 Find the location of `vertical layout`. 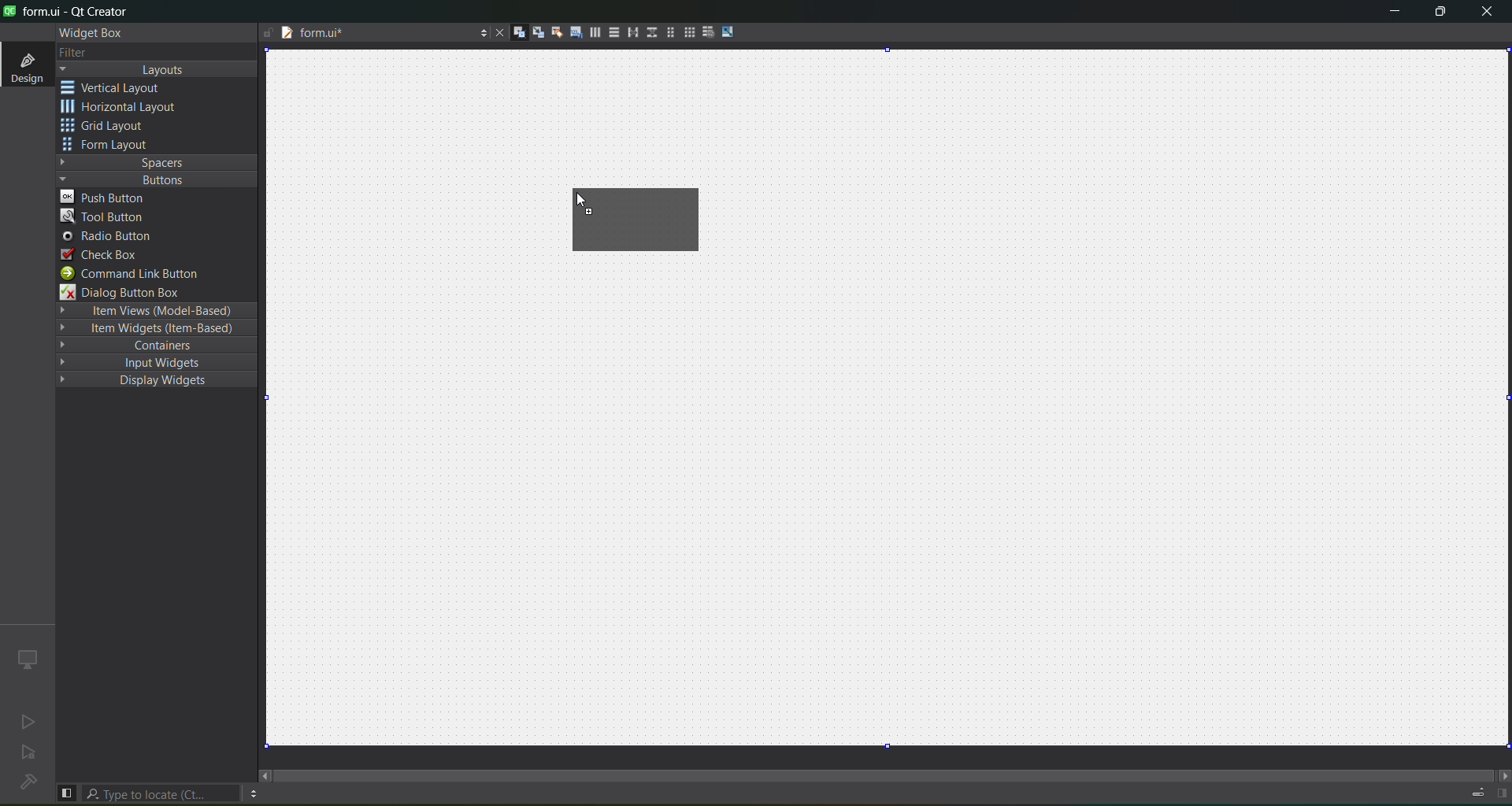

vertical layout is located at coordinates (613, 32).